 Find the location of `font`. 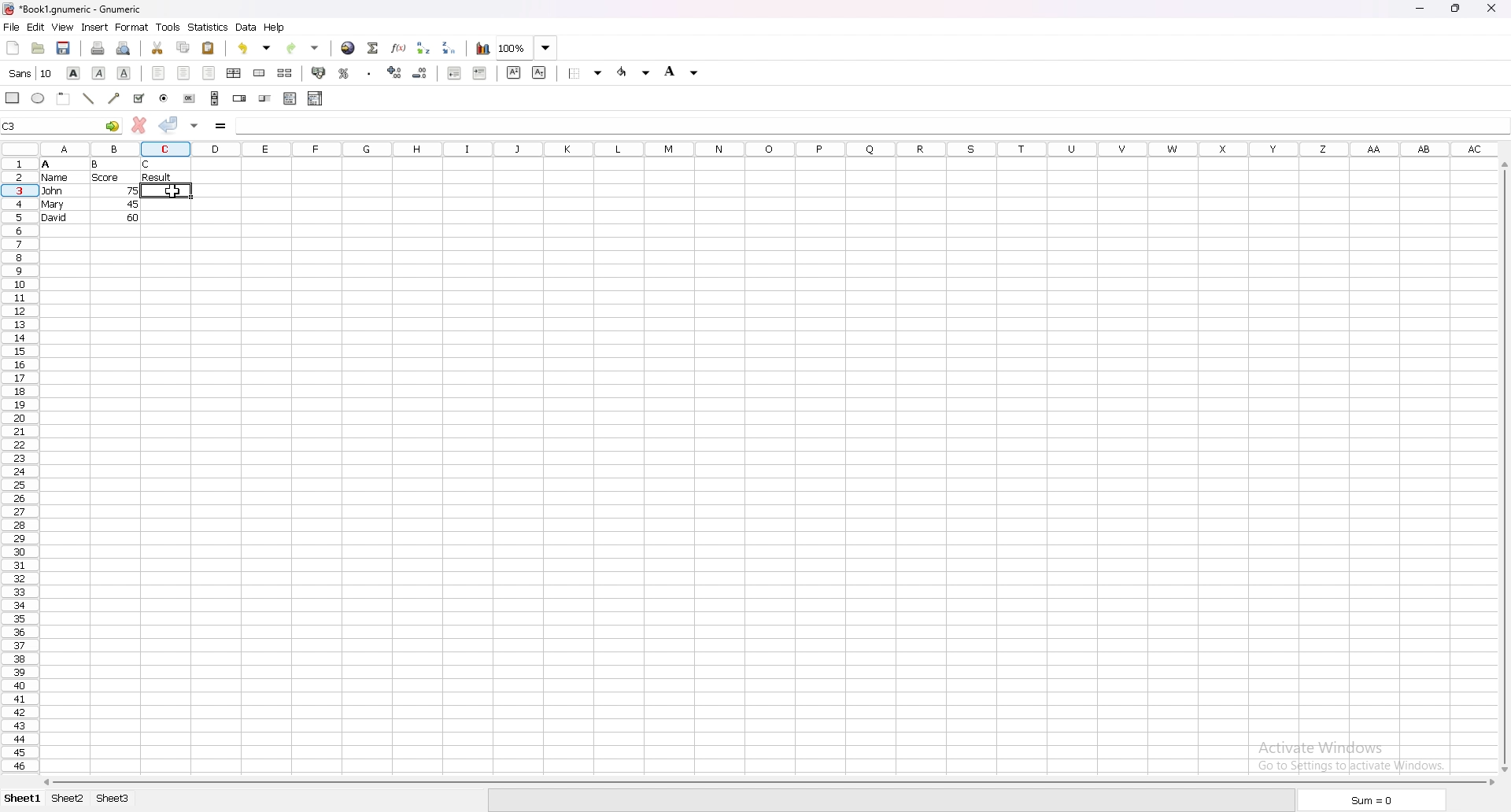

font is located at coordinates (31, 73).